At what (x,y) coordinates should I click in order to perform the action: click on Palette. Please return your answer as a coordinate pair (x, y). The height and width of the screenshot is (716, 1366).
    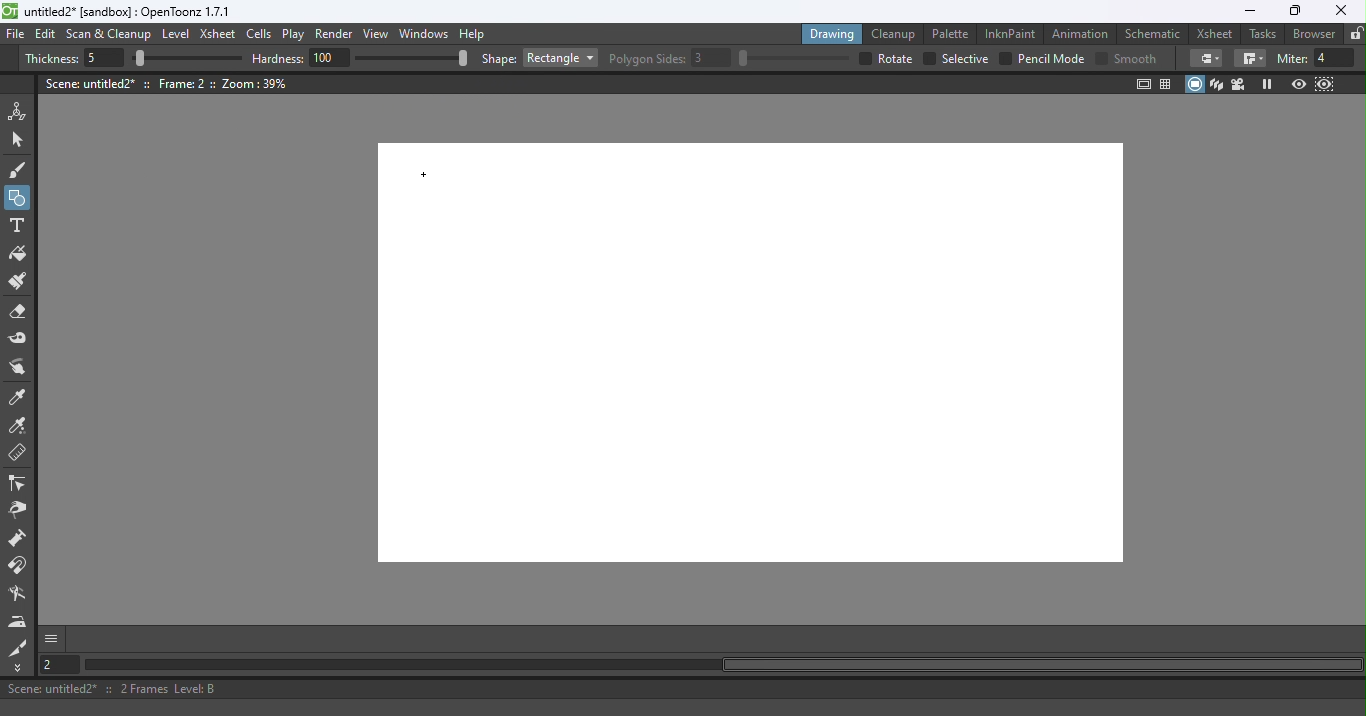
    Looking at the image, I should click on (953, 33).